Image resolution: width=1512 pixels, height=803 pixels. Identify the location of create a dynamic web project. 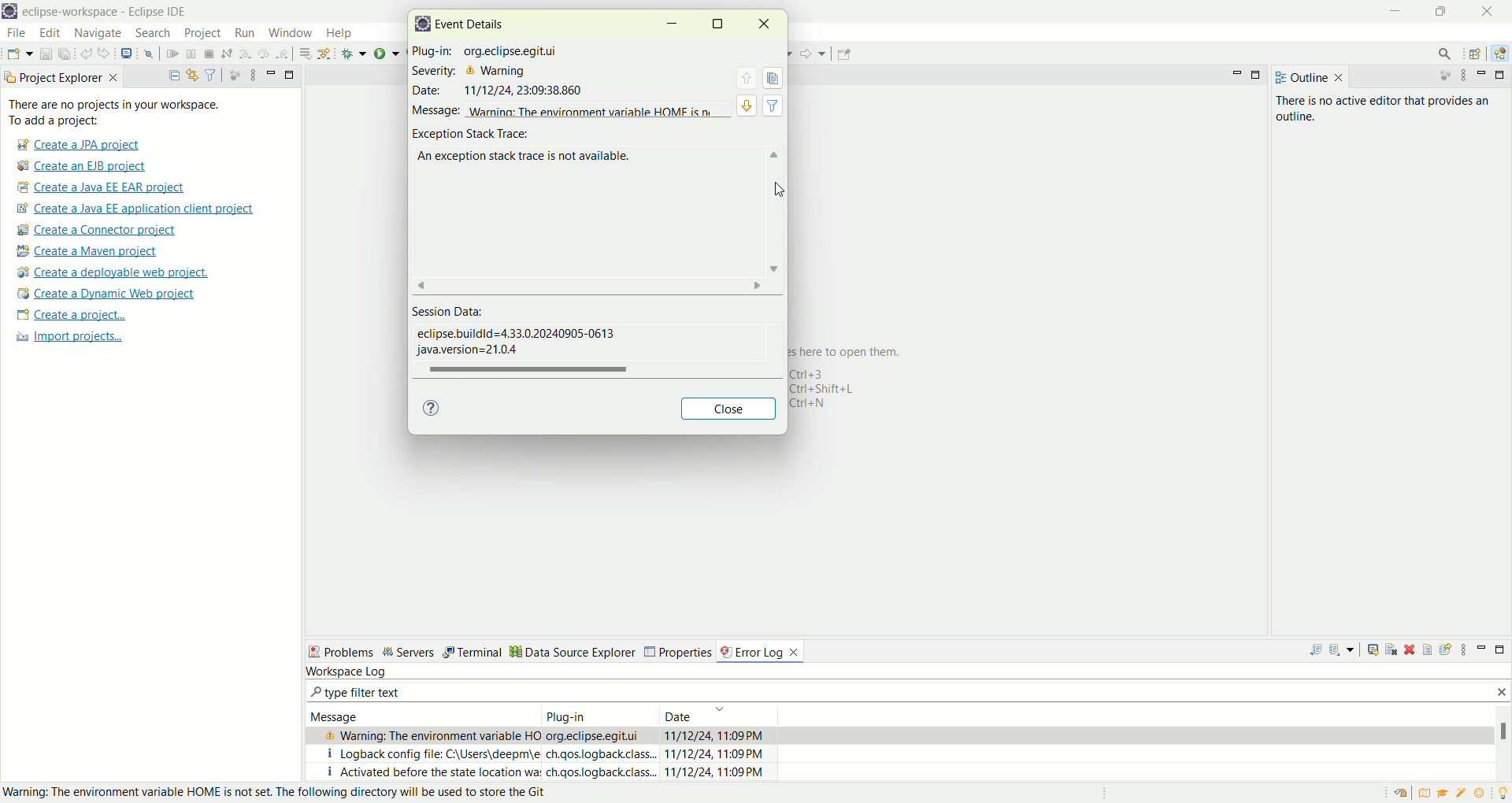
(106, 294).